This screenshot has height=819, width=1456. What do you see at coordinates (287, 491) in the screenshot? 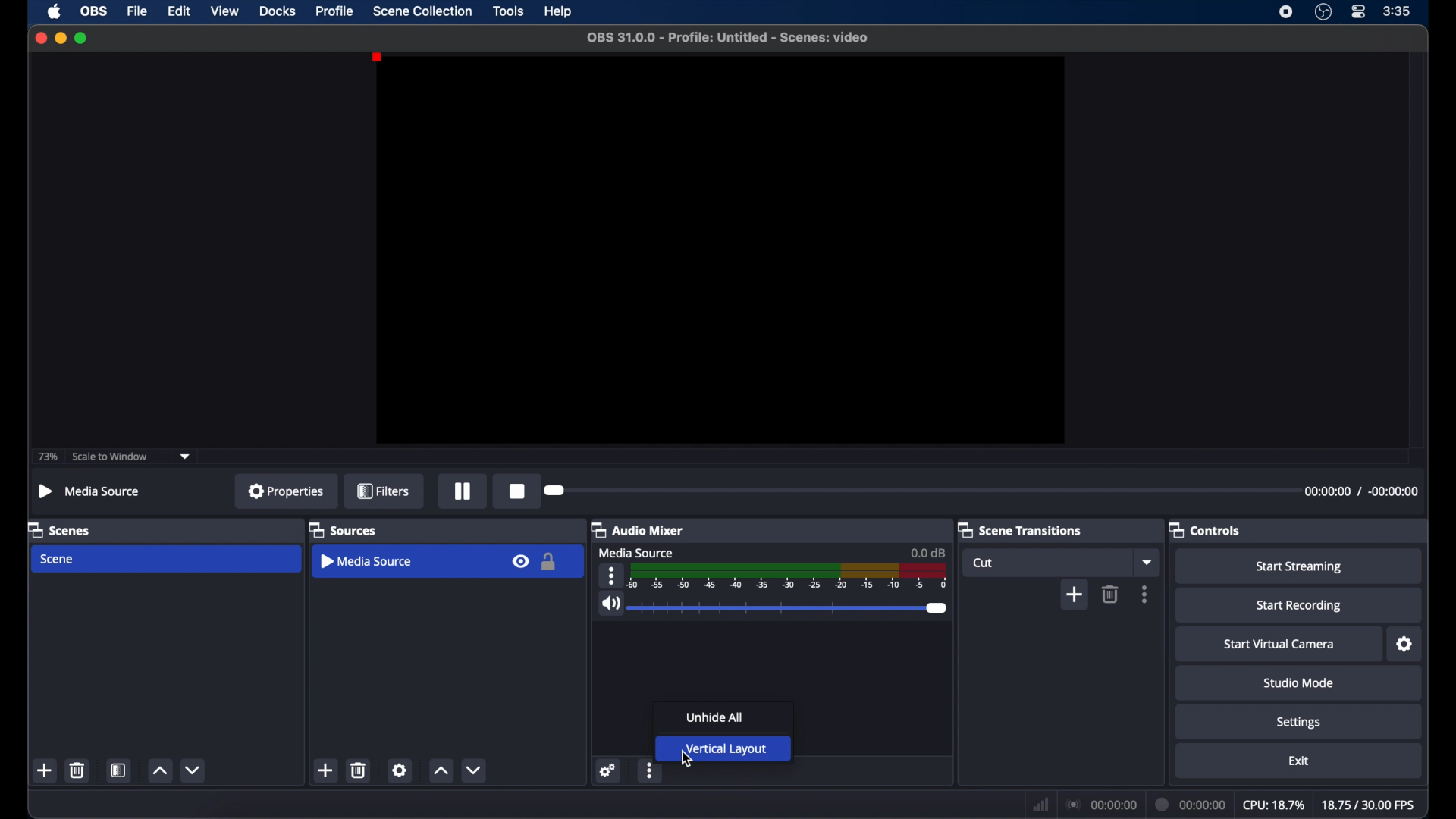
I see `properties` at bounding box center [287, 491].